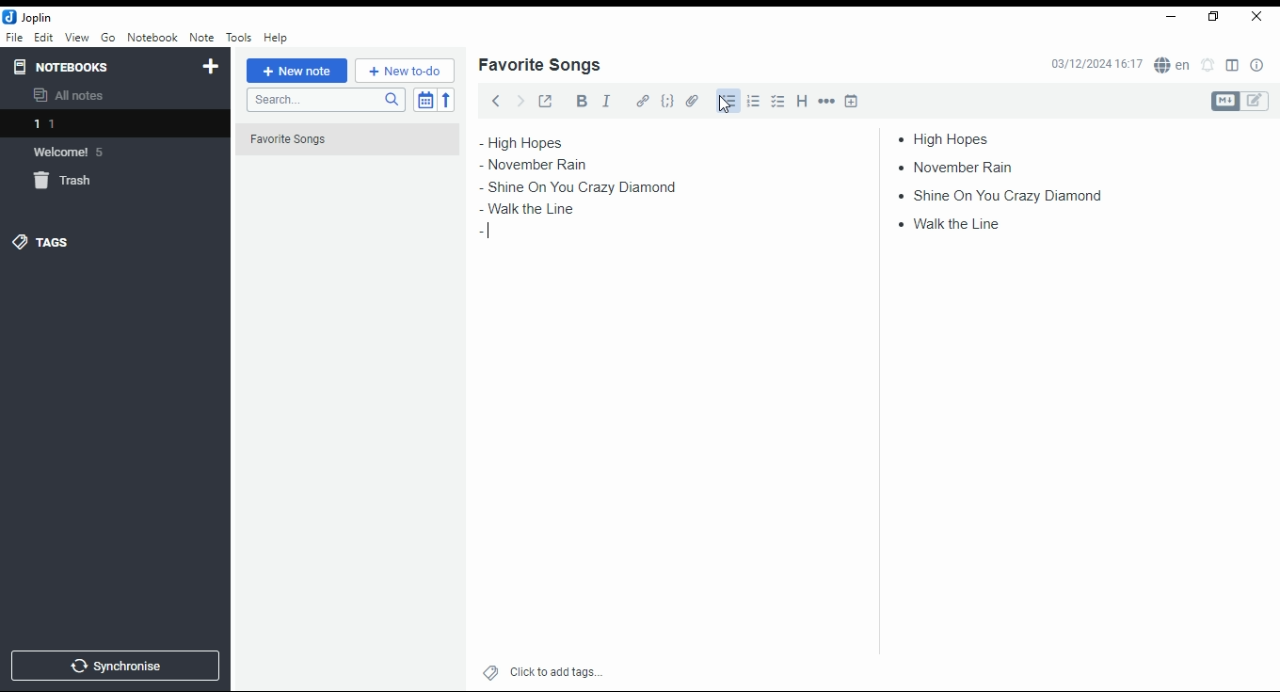 The width and height of the screenshot is (1280, 692). Describe the element at coordinates (275, 38) in the screenshot. I see `help` at that location.